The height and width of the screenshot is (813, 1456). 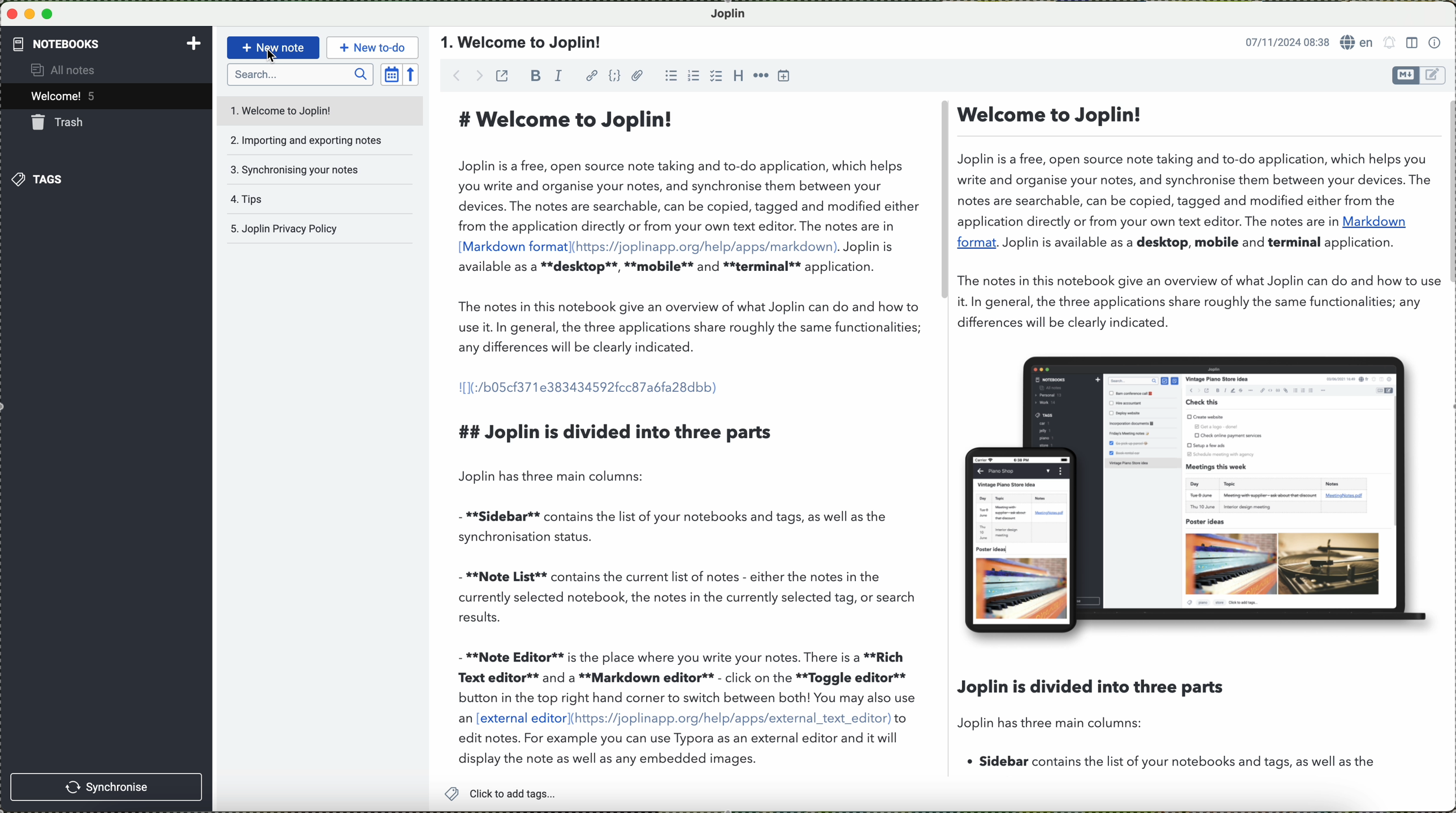 I want to click on synchronising your notes, so click(x=307, y=170).